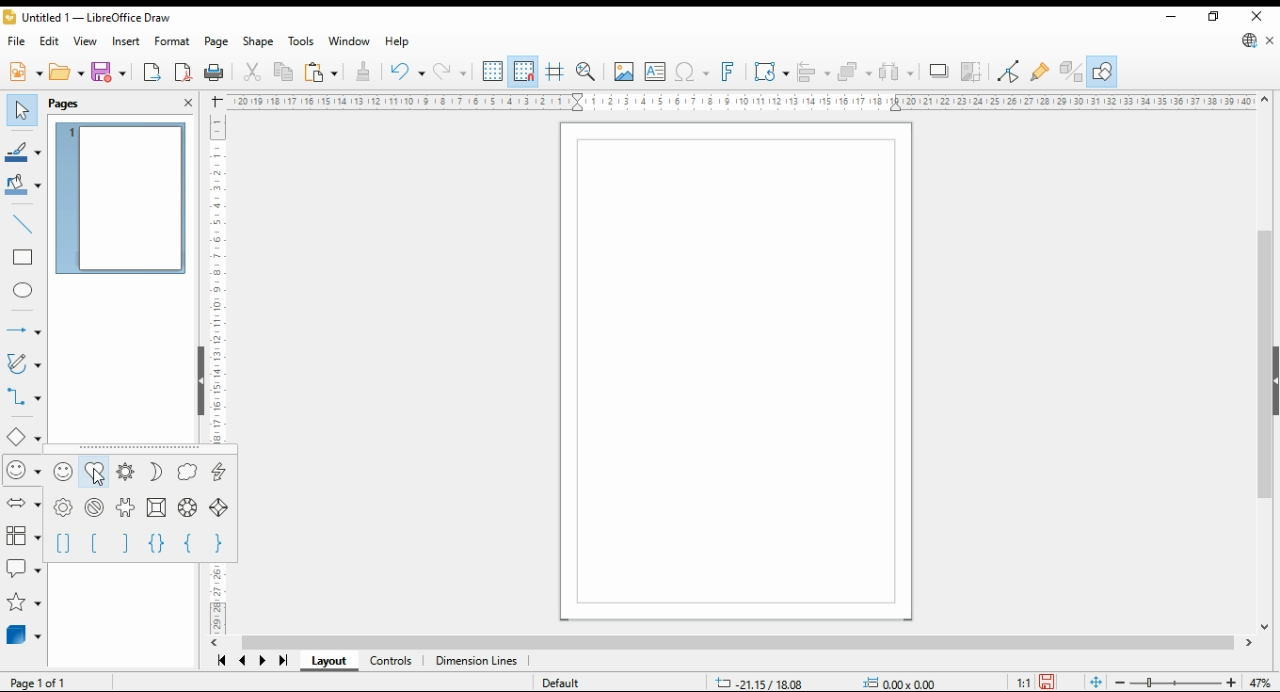 This screenshot has width=1280, height=692. What do you see at coordinates (975, 72) in the screenshot?
I see `crop` at bounding box center [975, 72].